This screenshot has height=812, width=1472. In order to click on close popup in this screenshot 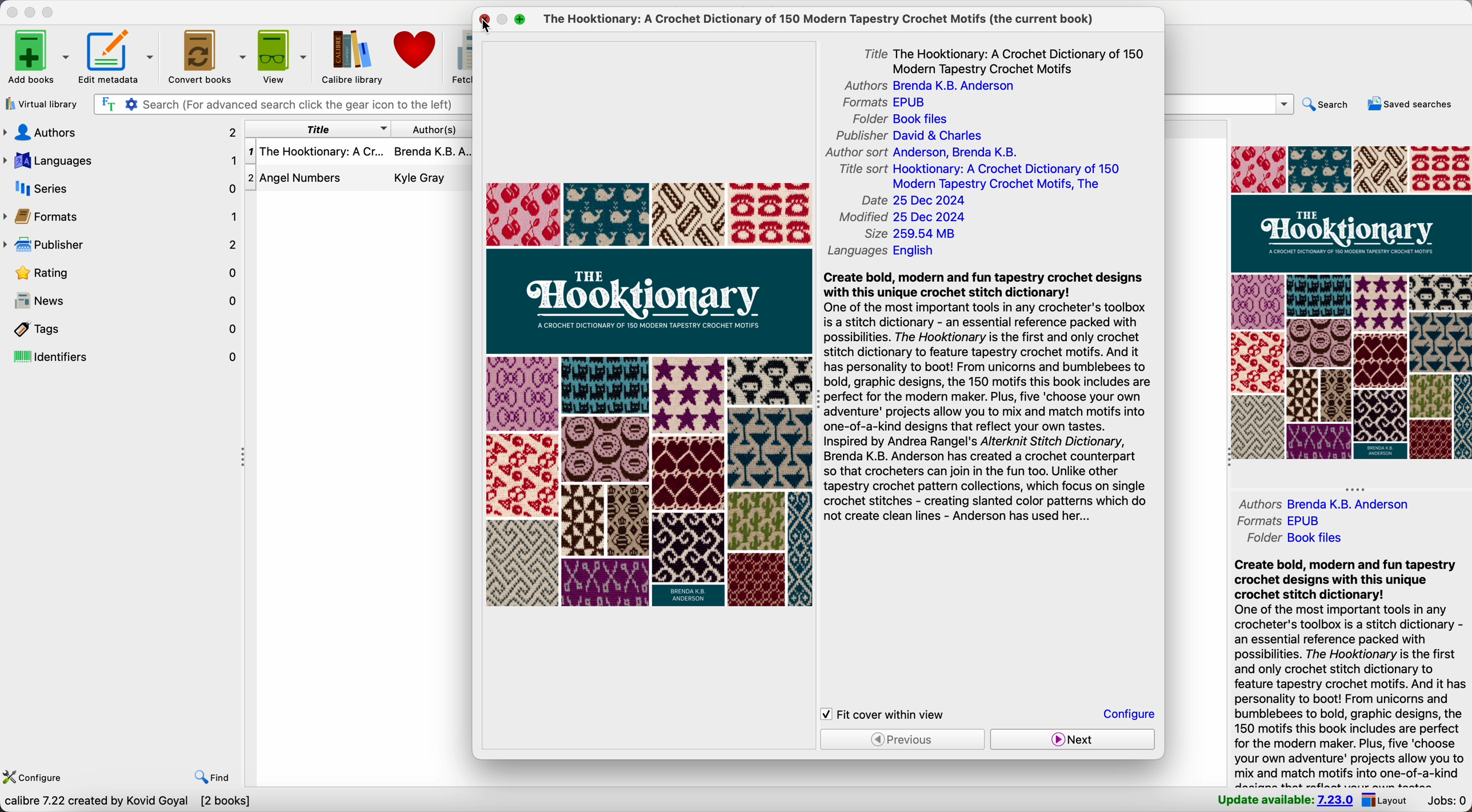, I will do `click(485, 19)`.